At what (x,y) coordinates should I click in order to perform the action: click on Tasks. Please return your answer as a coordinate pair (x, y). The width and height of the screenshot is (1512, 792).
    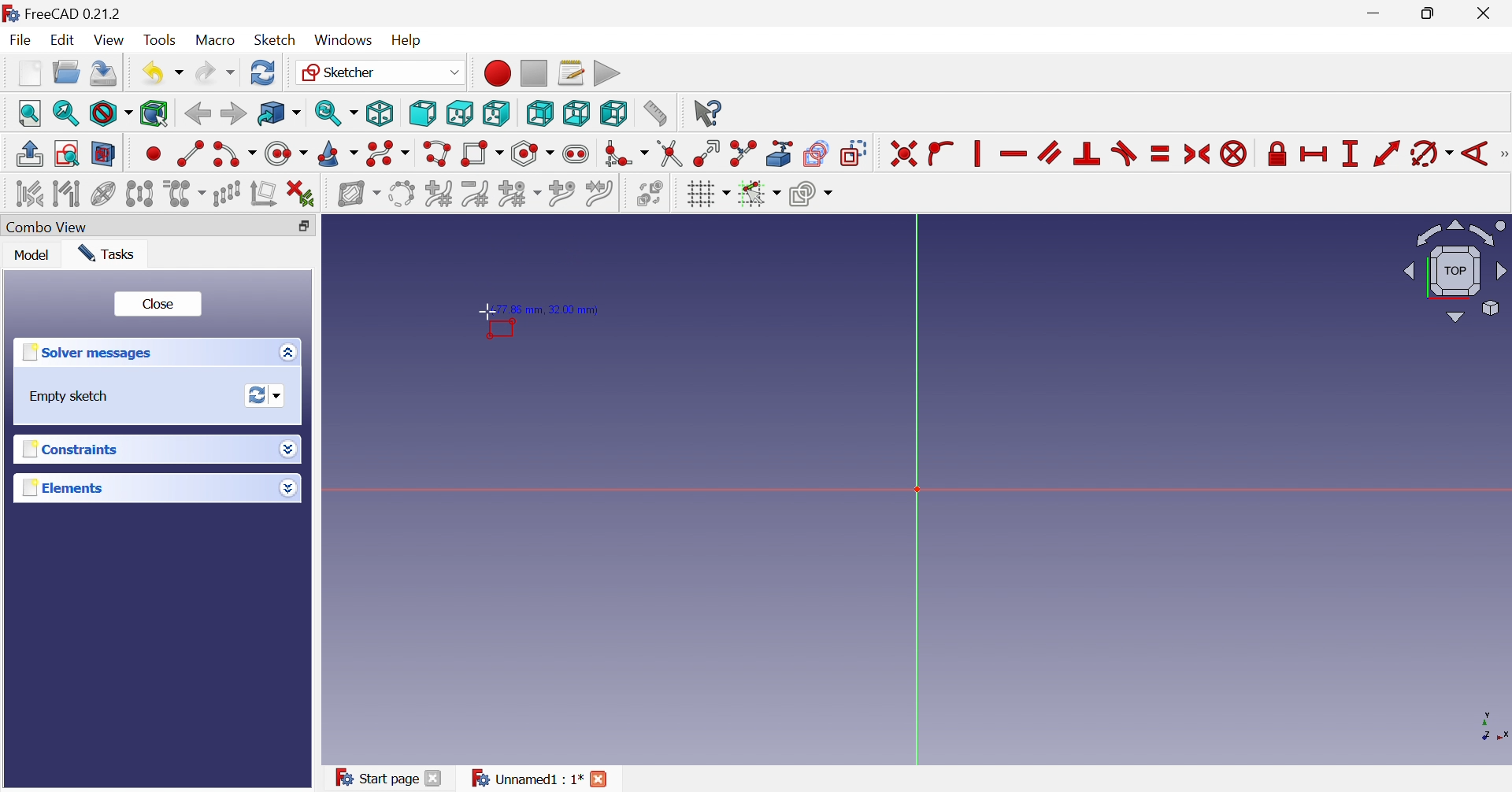
    Looking at the image, I should click on (108, 254).